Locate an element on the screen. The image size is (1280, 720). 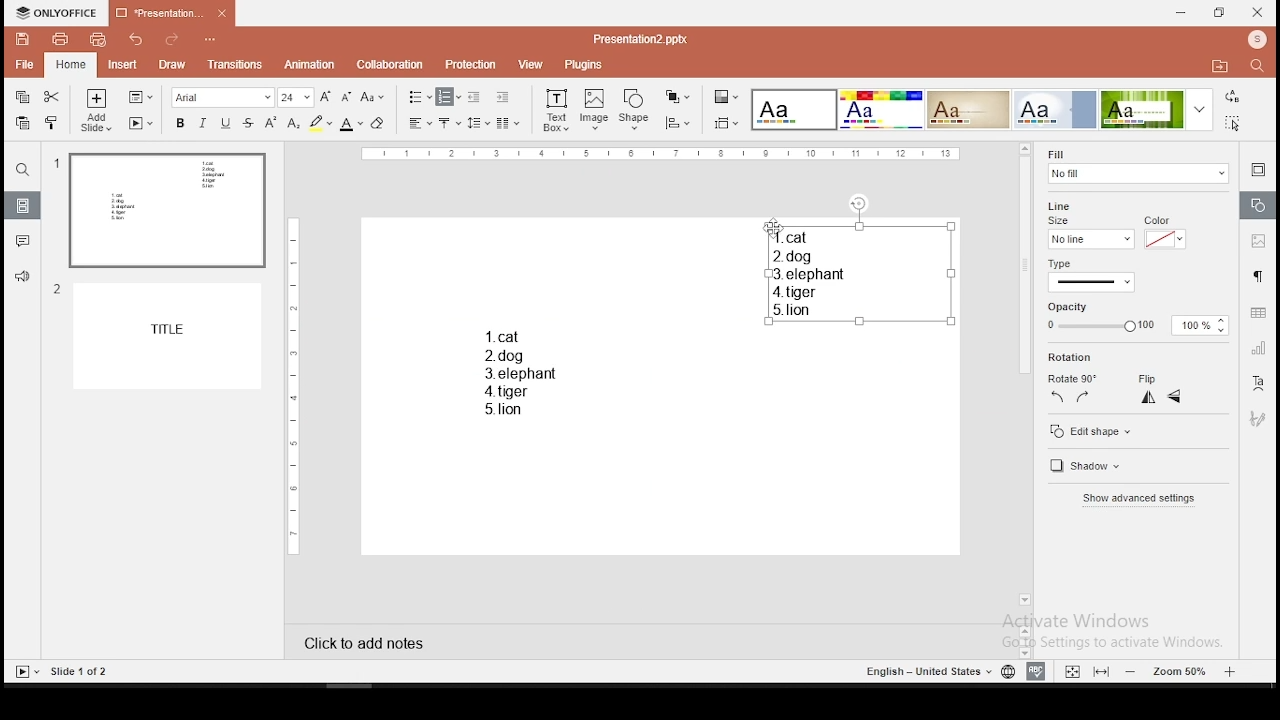
close window is located at coordinates (1258, 12).